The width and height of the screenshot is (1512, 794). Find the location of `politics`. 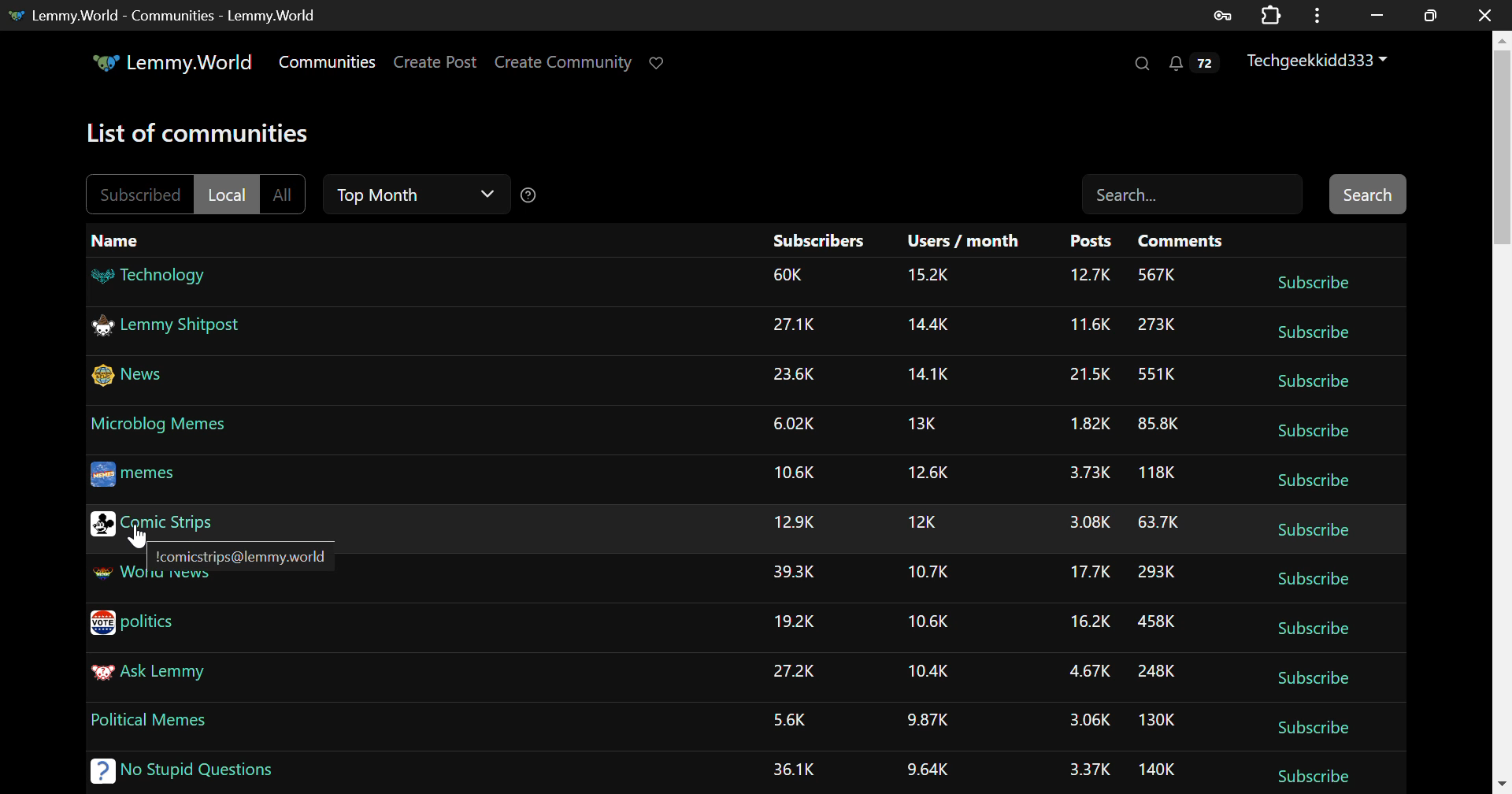

politics is located at coordinates (143, 623).